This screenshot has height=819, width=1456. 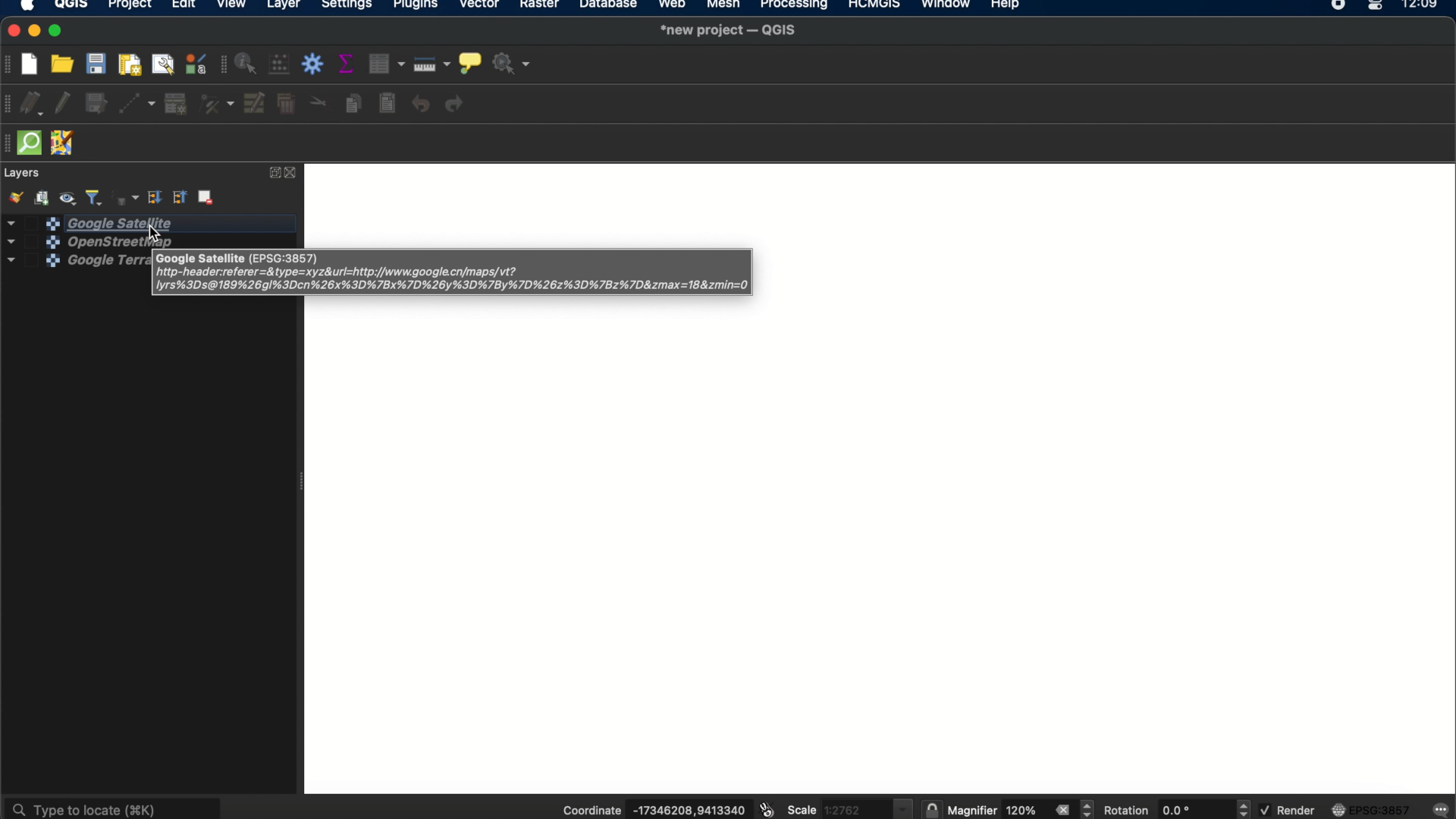 What do you see at coordinates (1244, 809) in the screenshot?
I see `rotation` at bounding box center [1244, 809].